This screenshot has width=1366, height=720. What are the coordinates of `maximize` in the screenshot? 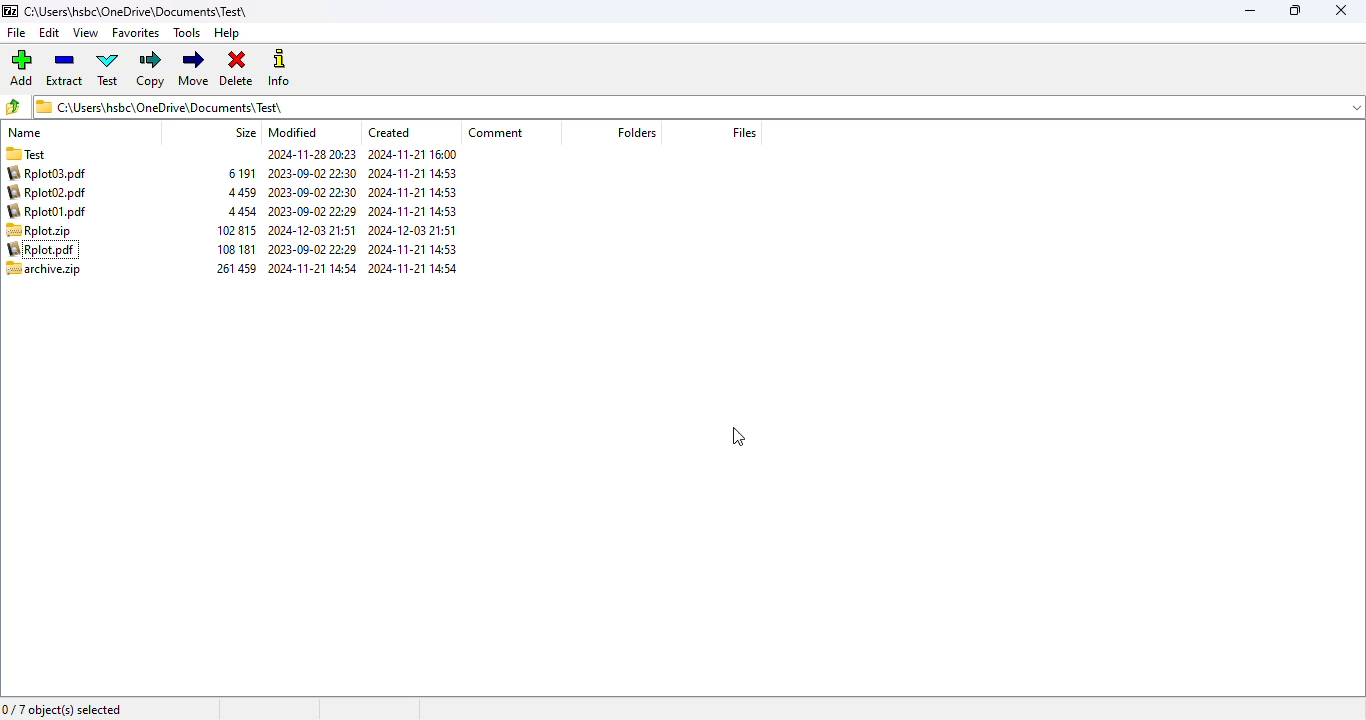 It's located at (1295, 9).